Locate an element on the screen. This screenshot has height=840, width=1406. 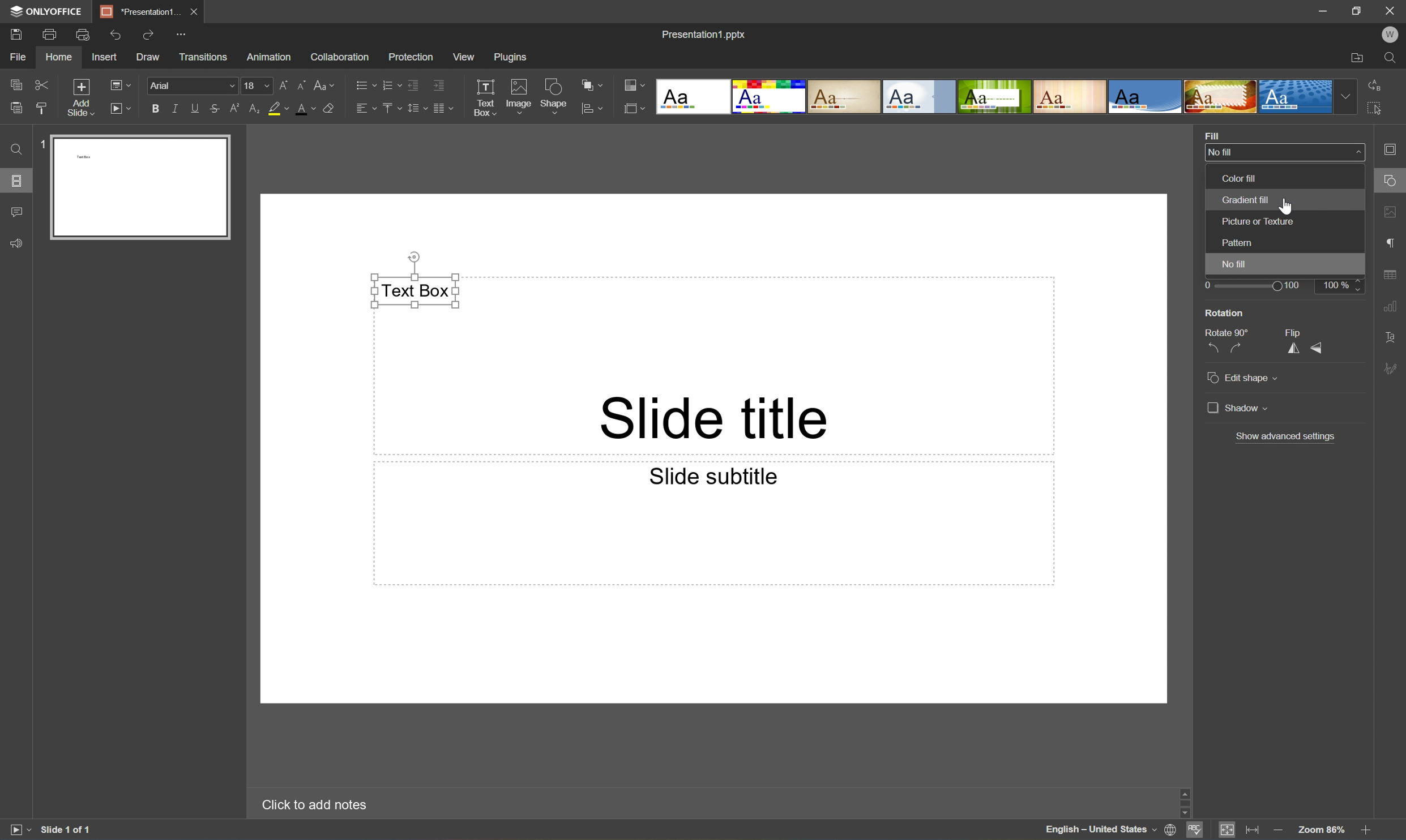
W is located at coordinates (1393, 36).